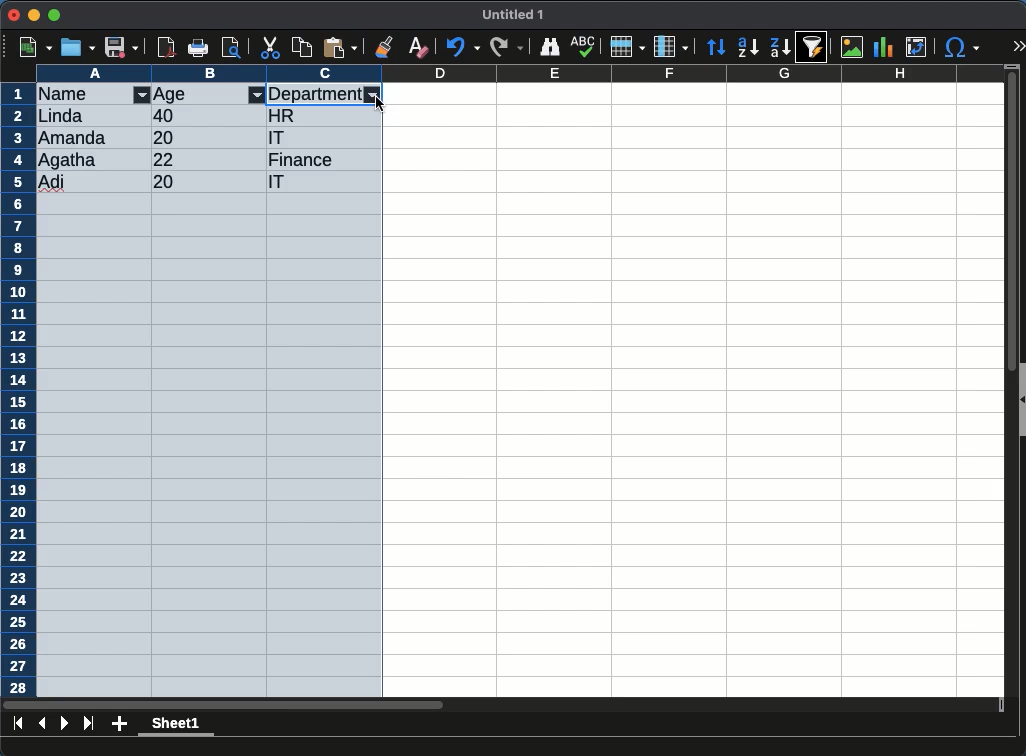 Image resolution: width=1026 pixels, height=756 pixels. I want to click on amanda, so click(74, 137).